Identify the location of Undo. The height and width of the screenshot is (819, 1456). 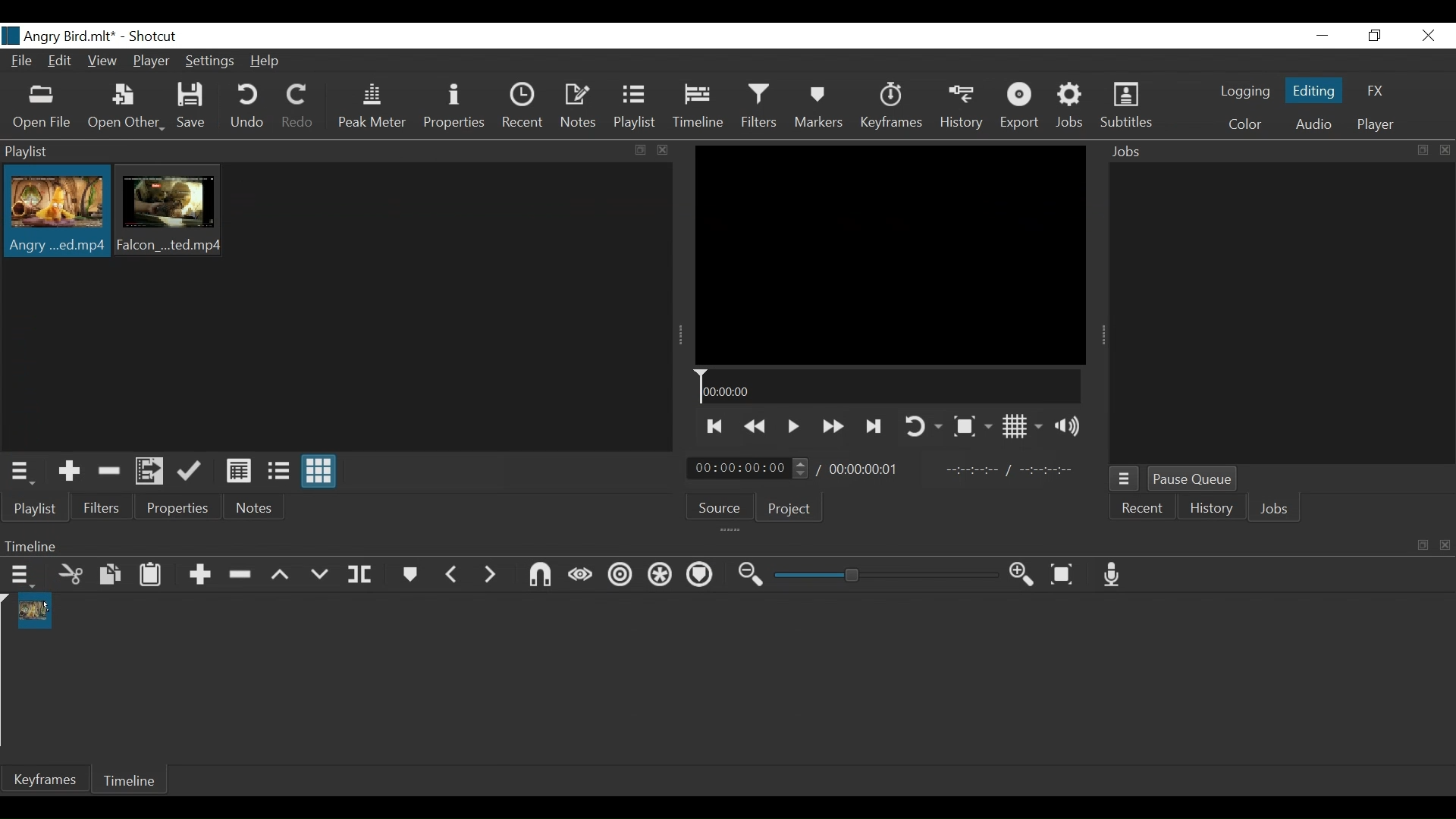
(246, 108).